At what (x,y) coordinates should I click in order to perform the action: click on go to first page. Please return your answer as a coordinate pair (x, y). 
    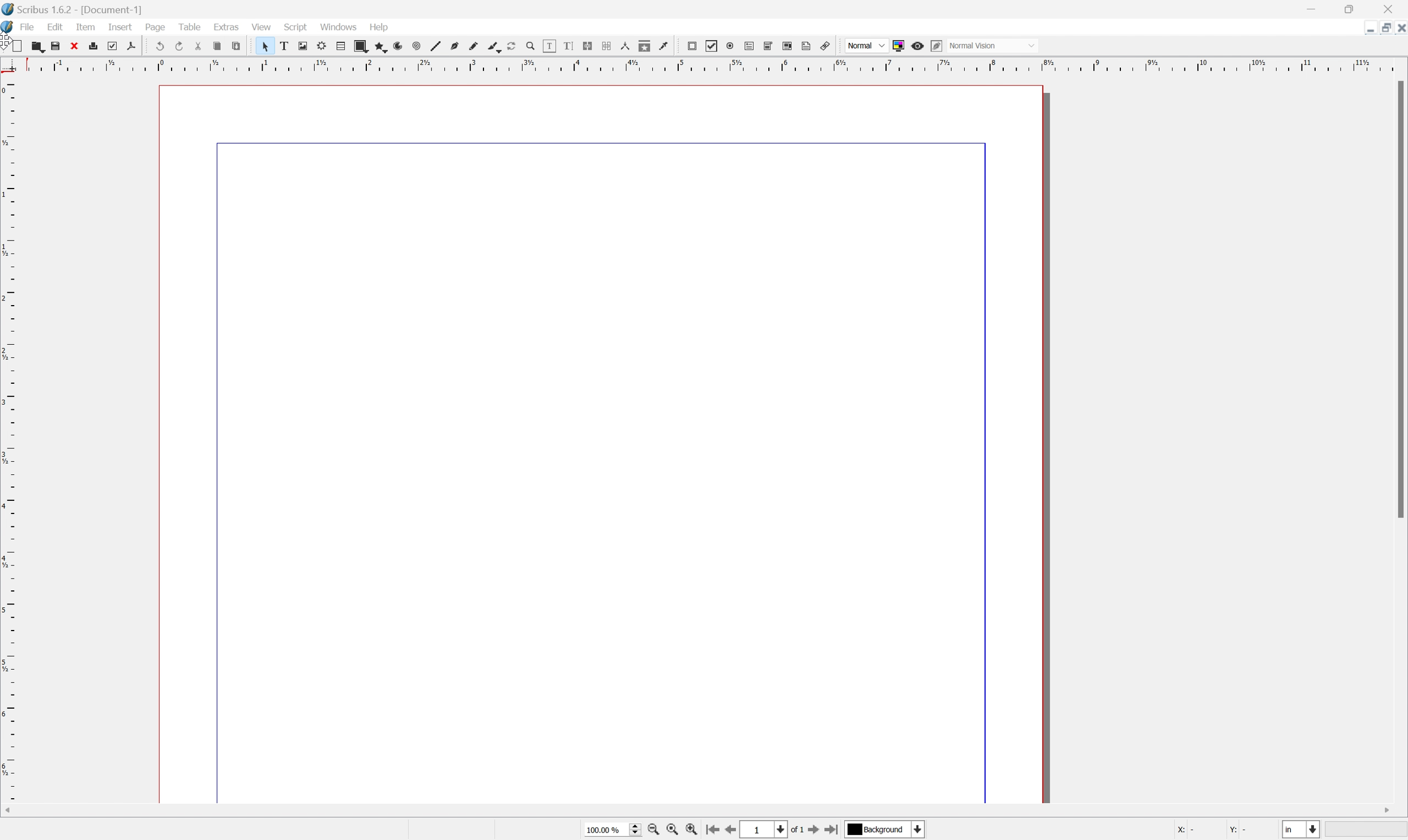
    Looking at the image, I should click on (711, 830).